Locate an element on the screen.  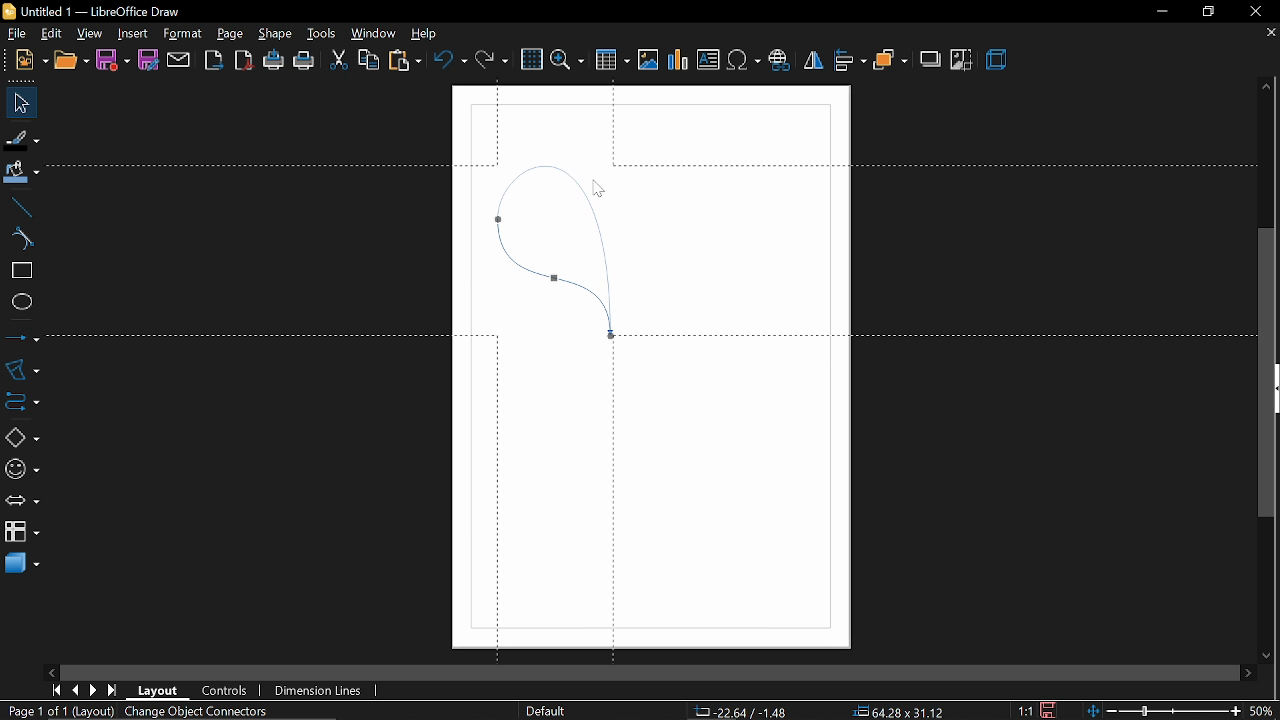
restore down is located at coordinates (1206, 11).